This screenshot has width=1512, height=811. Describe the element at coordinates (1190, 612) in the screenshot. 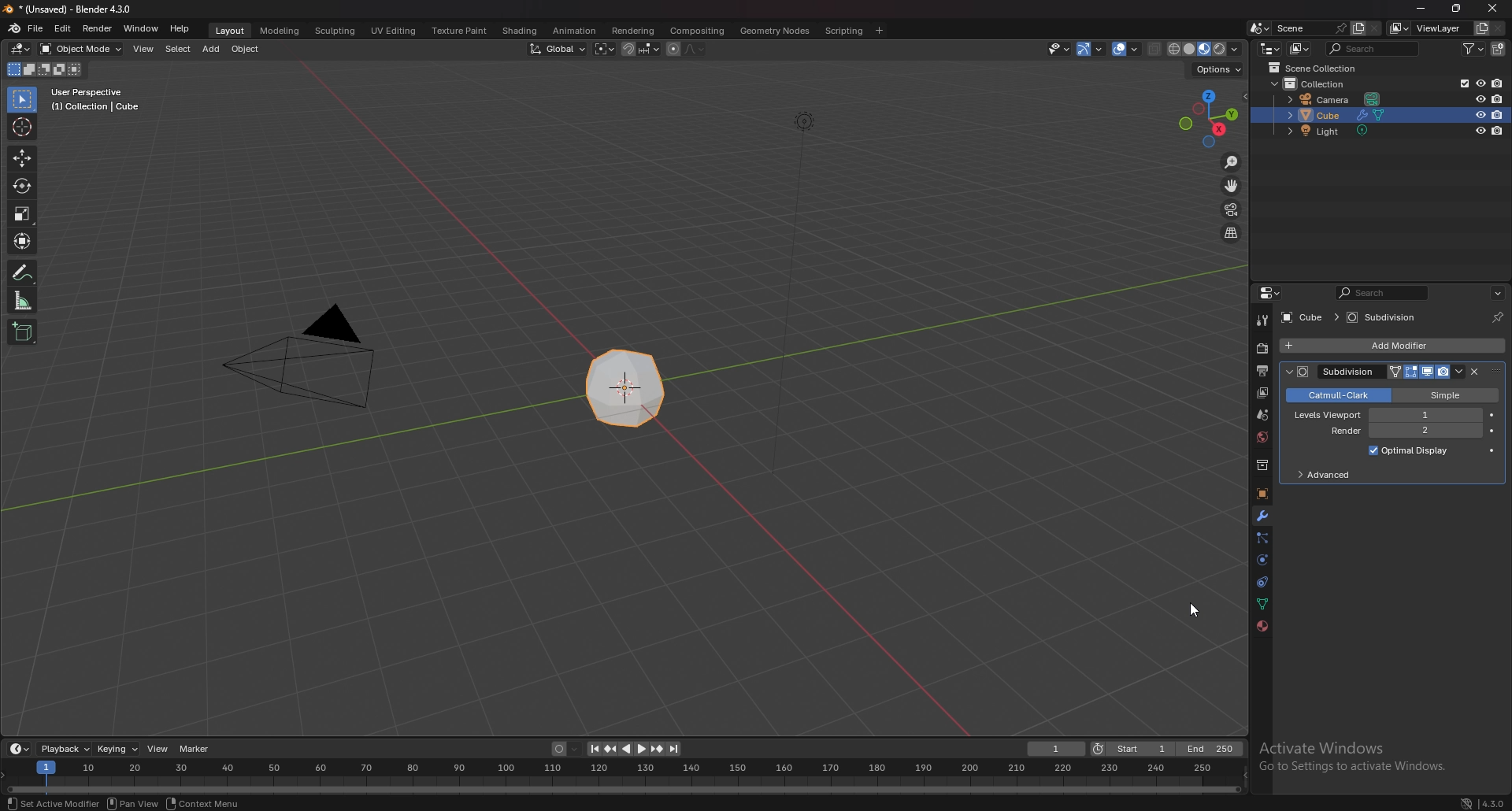

I see `cursor` at that location.